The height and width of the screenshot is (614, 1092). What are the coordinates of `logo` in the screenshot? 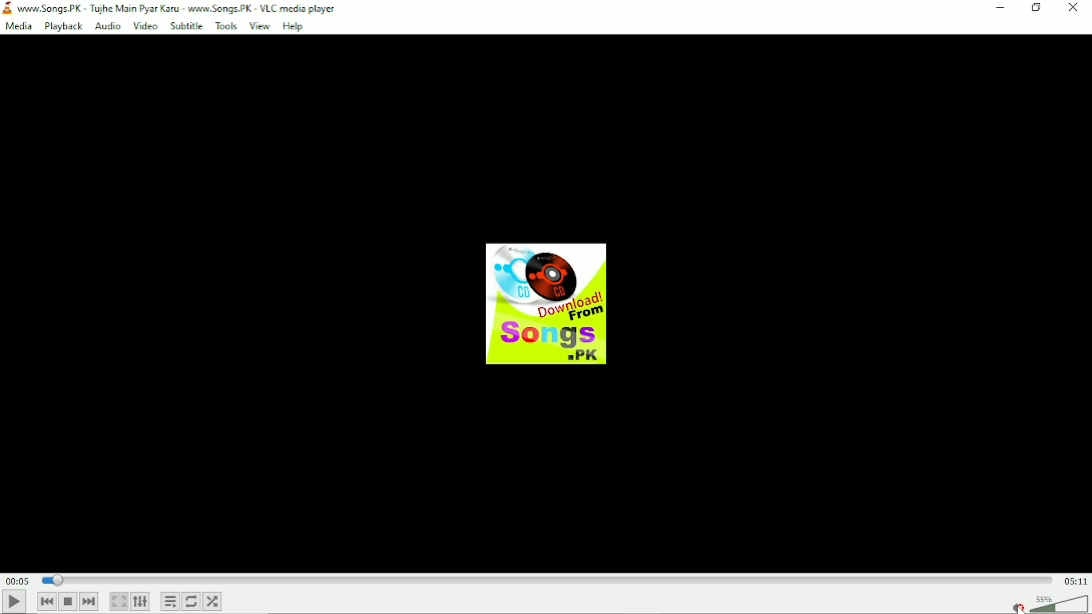 It's located at (7, 10).